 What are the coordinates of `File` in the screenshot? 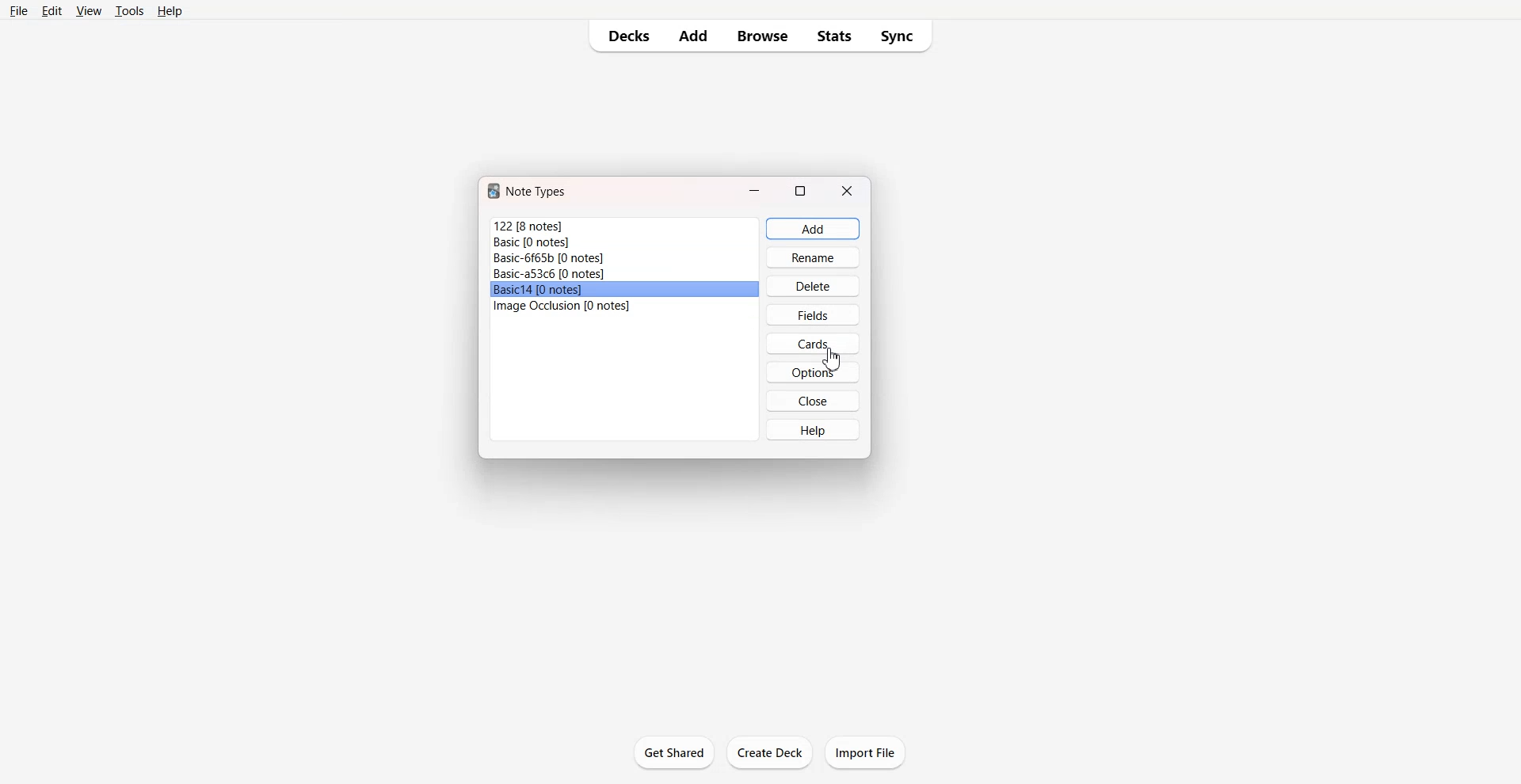 It's located at (623, 306).